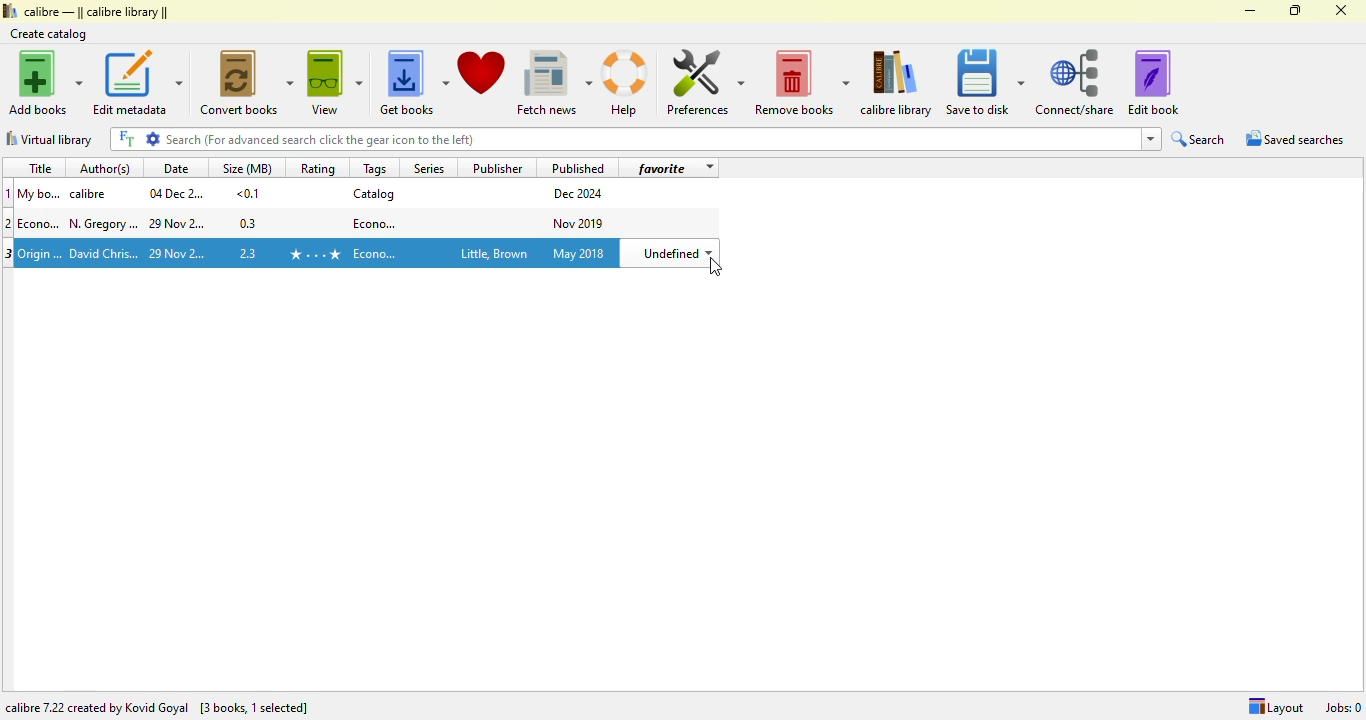 This screenshot has width=1366, height=720. Describe the element at coordinates (9, 193) in the screenshot. I see `1` at that location.